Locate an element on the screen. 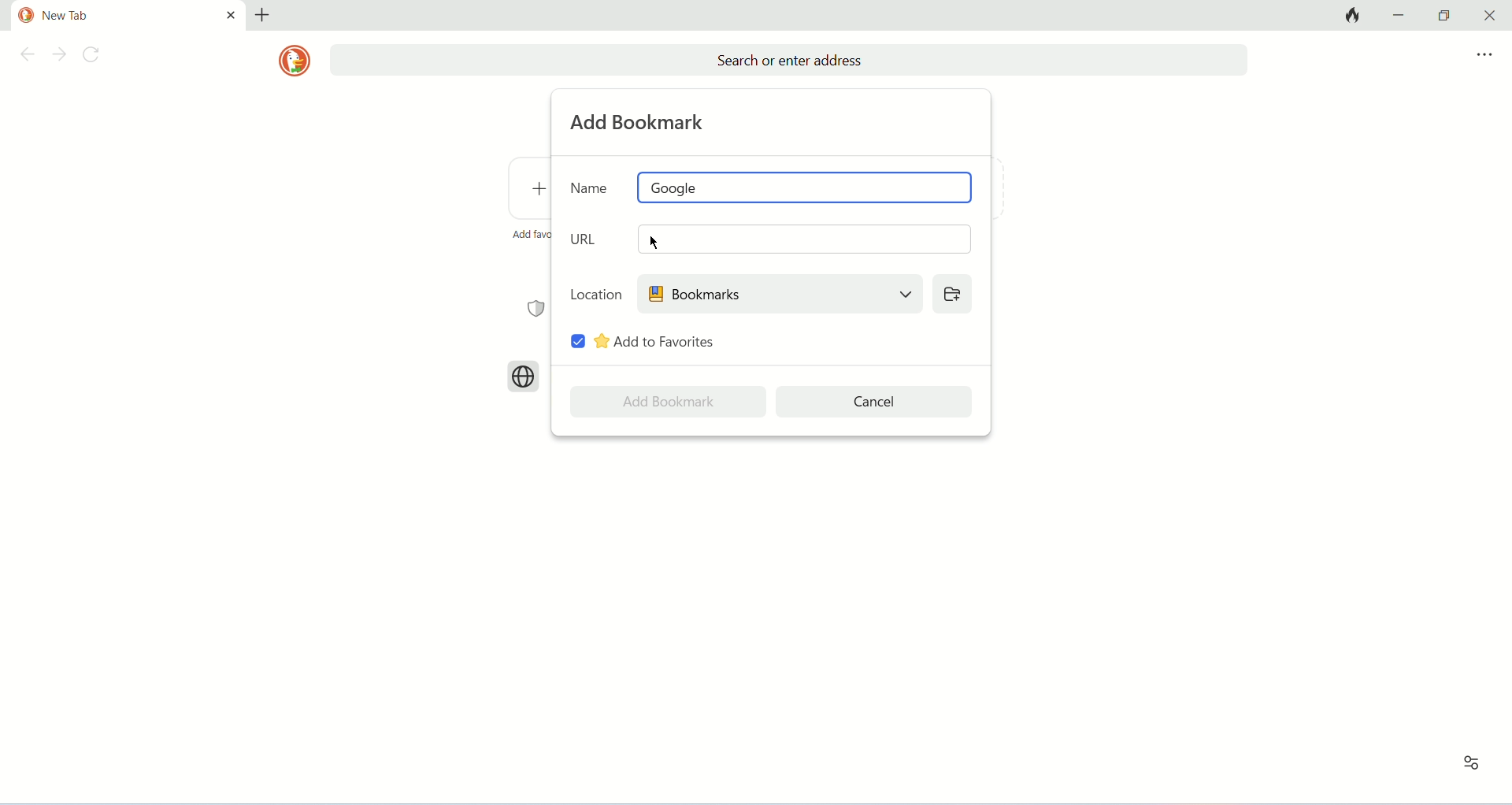  cancel is located at coordinates (876, 402).